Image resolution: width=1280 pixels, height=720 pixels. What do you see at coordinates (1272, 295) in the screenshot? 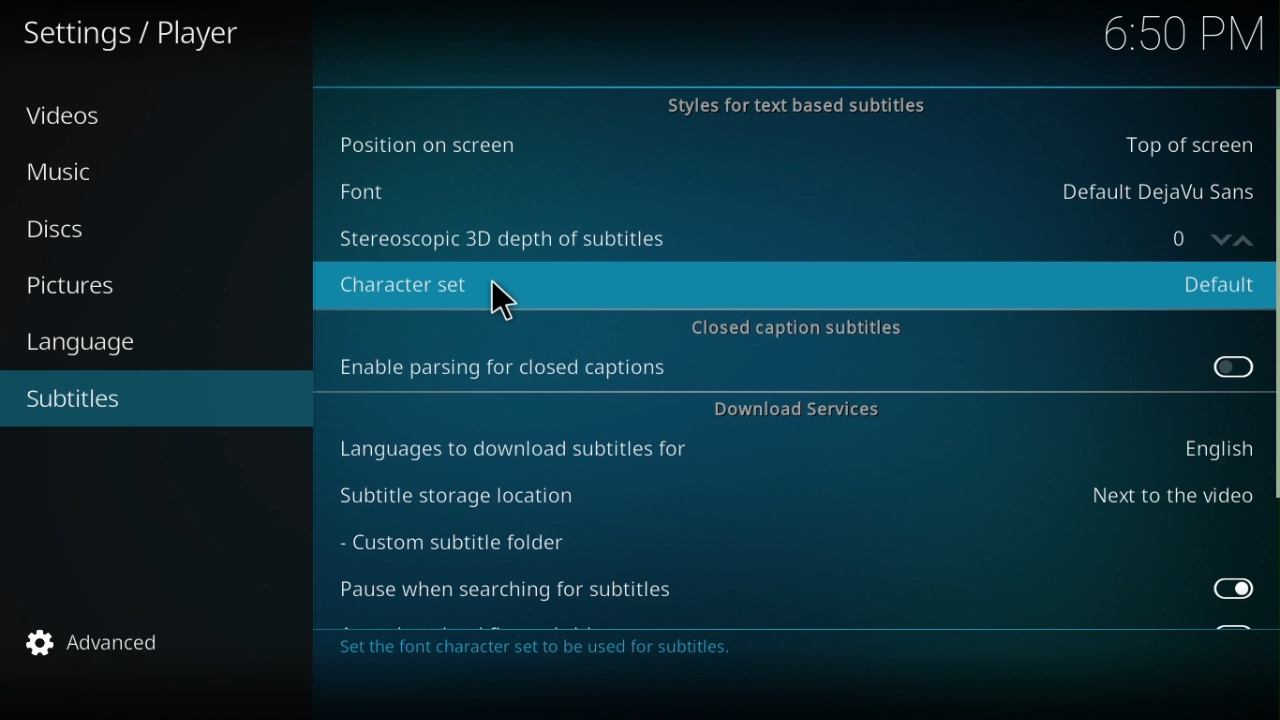
I see `Horizontally scroll` at bounding box center [1272, 295].